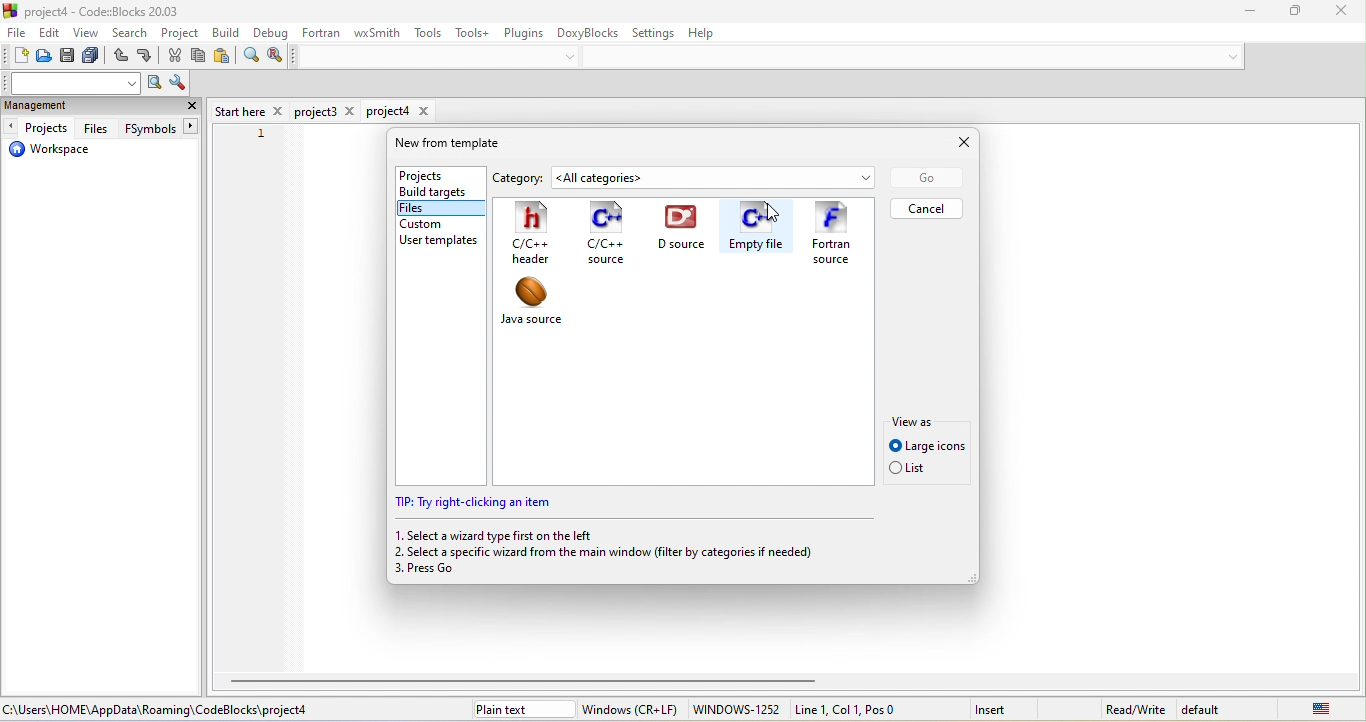 The image size is (1366, 722). Describe the element at coordinates (261, 135) in the screenshot. I see `1` at that location.